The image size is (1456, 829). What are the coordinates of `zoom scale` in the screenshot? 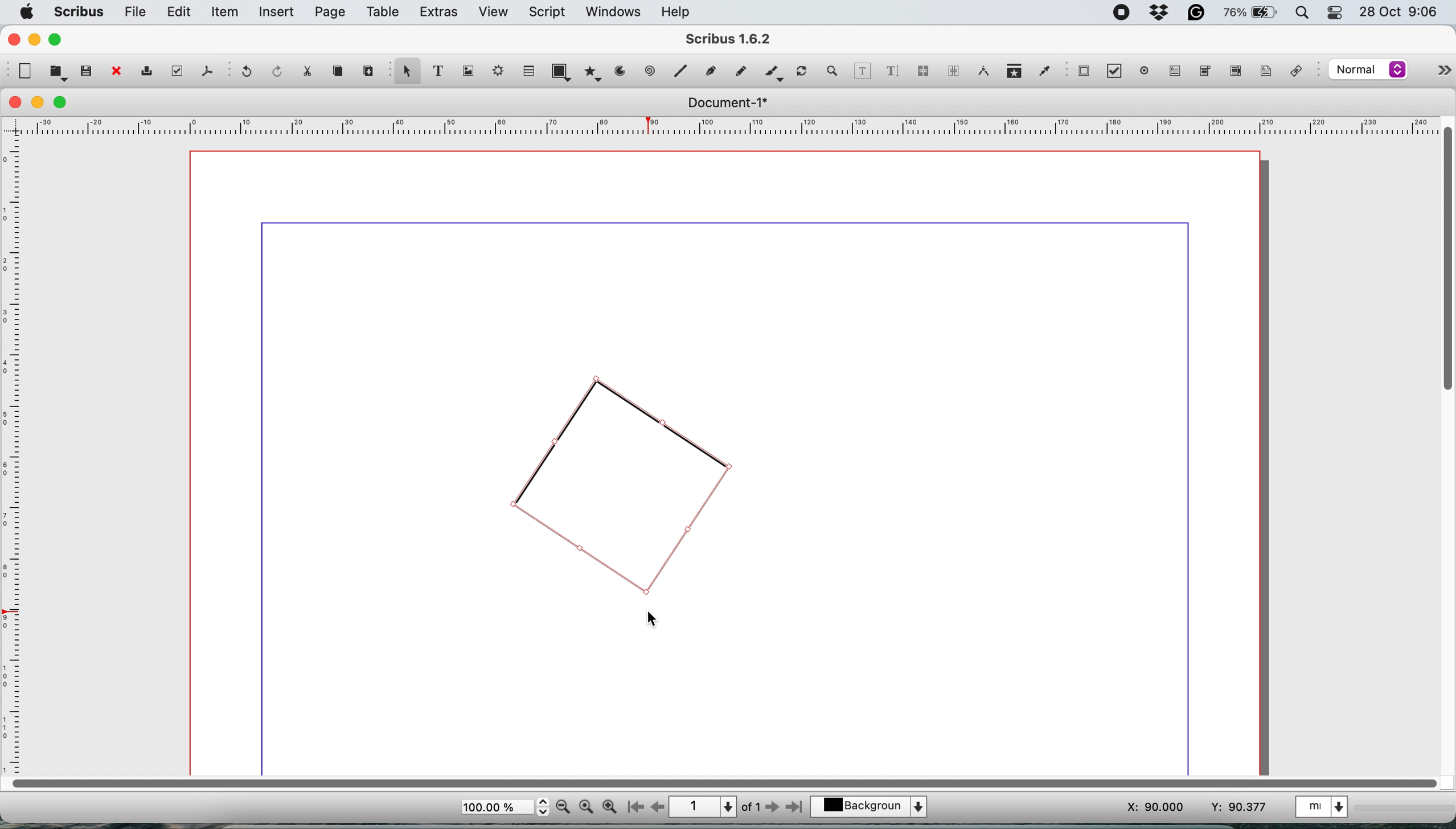 It's located at (504, 807).